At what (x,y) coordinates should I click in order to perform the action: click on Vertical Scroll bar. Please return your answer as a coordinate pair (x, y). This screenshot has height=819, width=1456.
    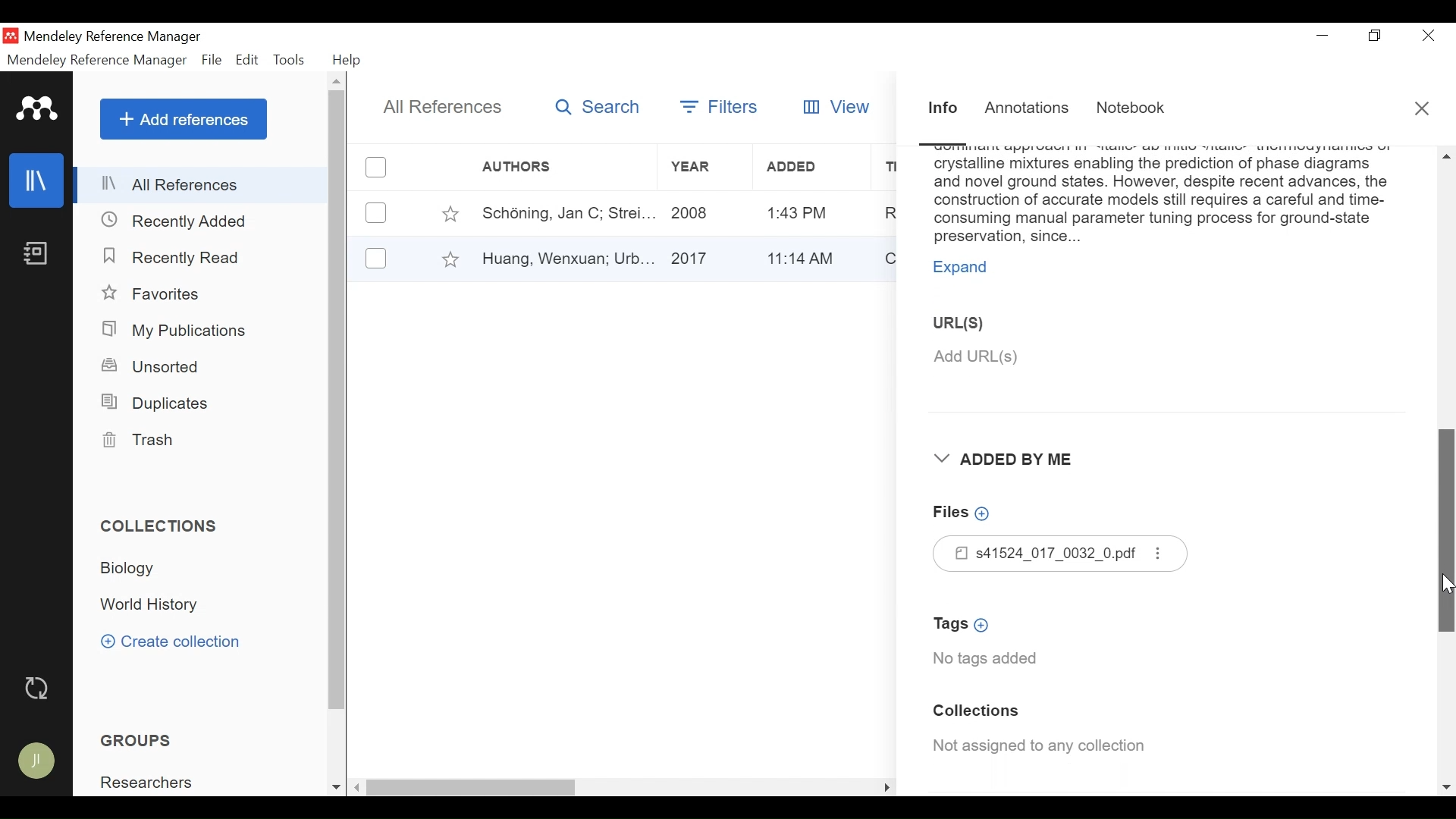
    Looking at the image, I should click on (338, 400).